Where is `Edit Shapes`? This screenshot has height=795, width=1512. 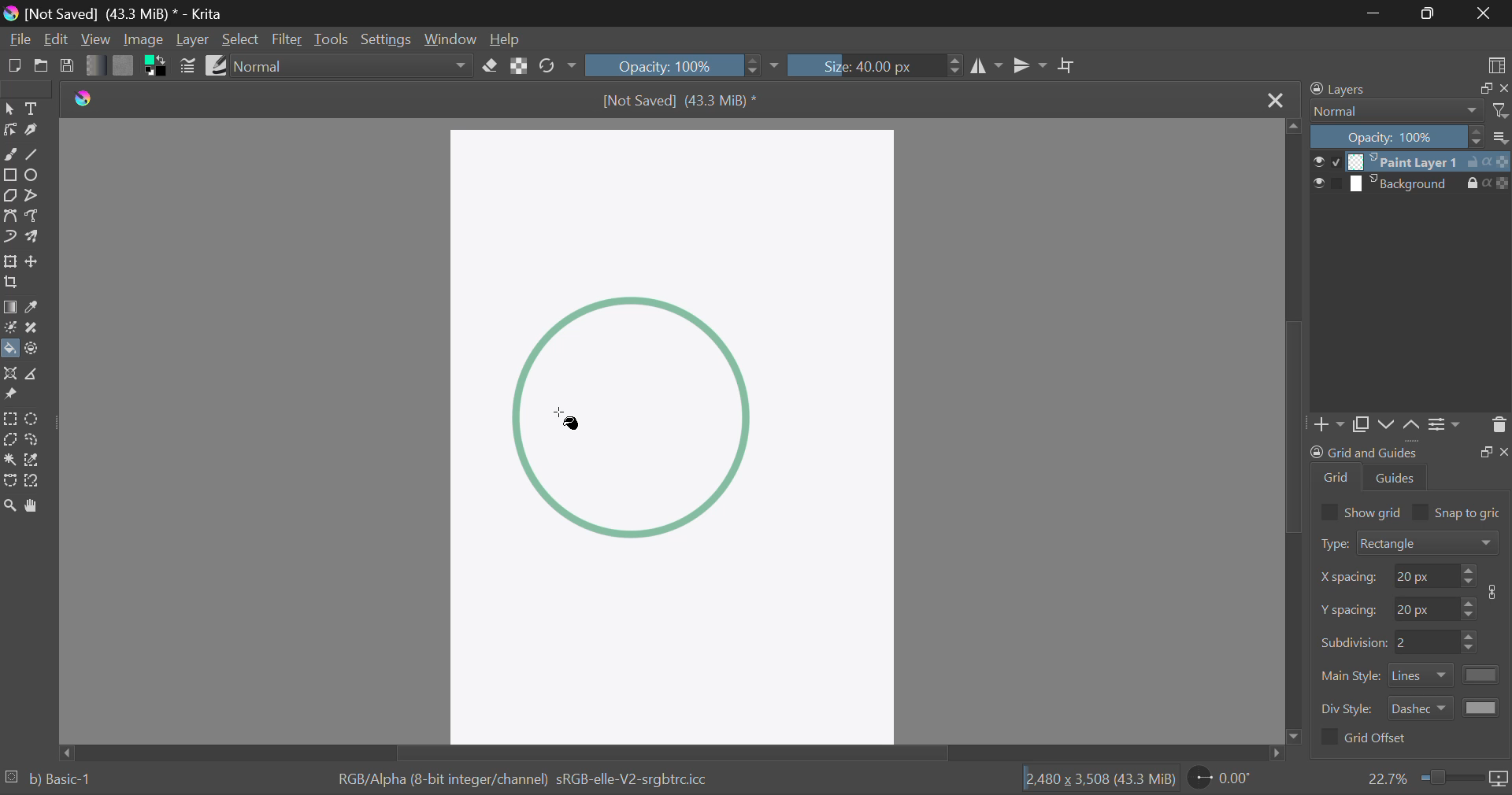
Edit Shapes is located at coordinates (9, 129).